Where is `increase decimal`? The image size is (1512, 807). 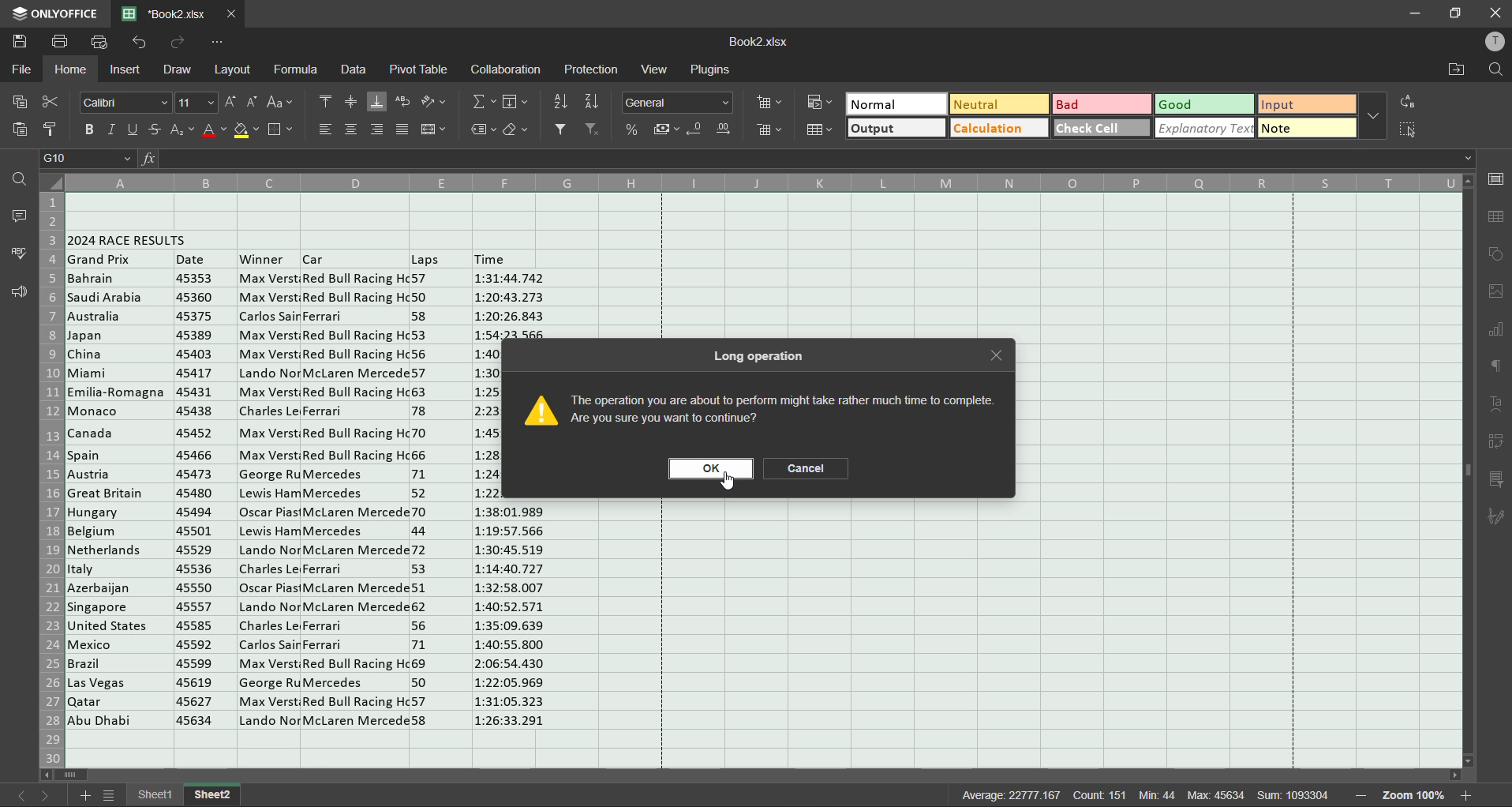 increase decimal is located at coordinates (725, 131).